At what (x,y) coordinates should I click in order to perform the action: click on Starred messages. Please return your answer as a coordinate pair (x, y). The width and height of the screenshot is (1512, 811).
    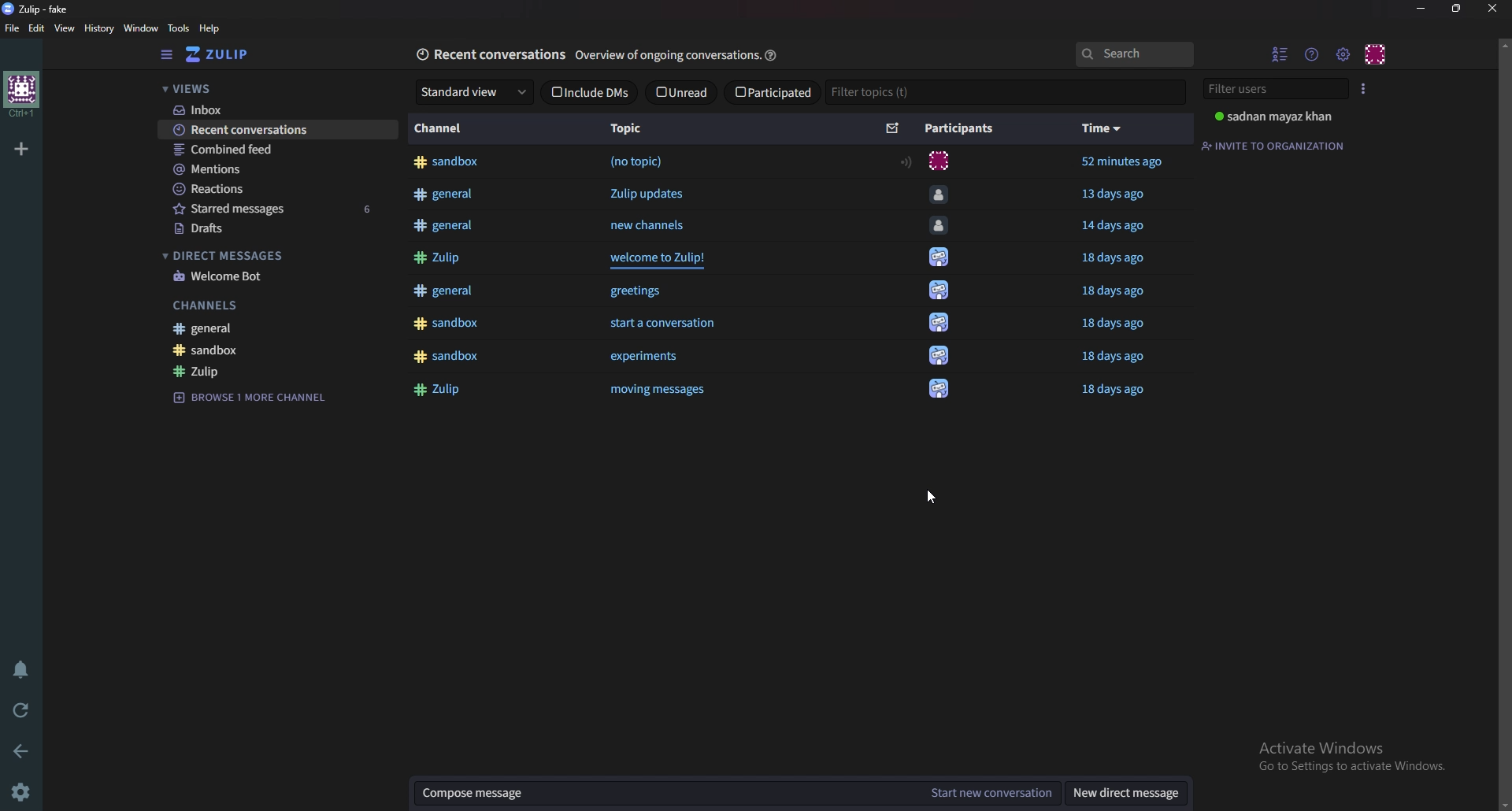
    Looking at the image, I should click on (272, 209).